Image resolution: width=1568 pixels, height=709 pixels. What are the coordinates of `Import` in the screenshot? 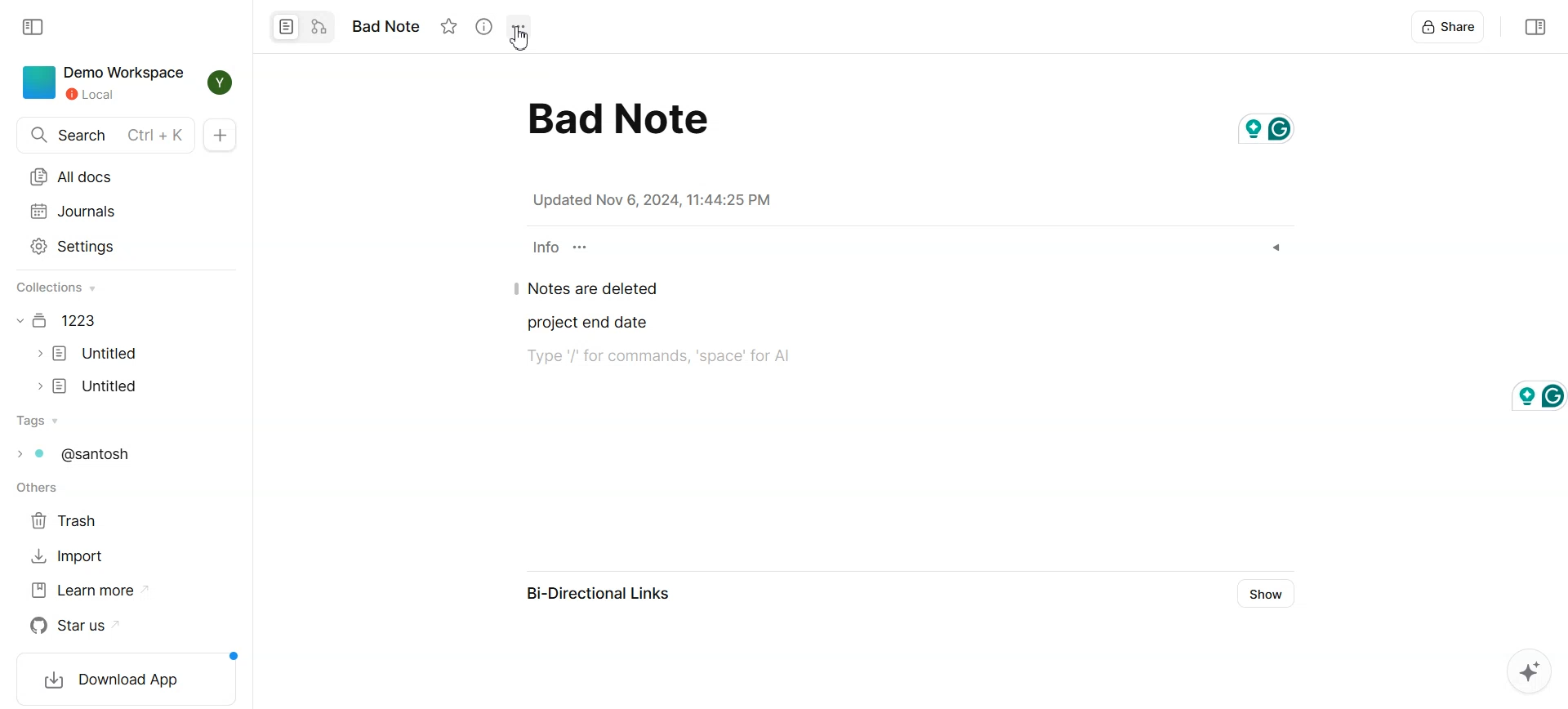 It's located at (67, 556).